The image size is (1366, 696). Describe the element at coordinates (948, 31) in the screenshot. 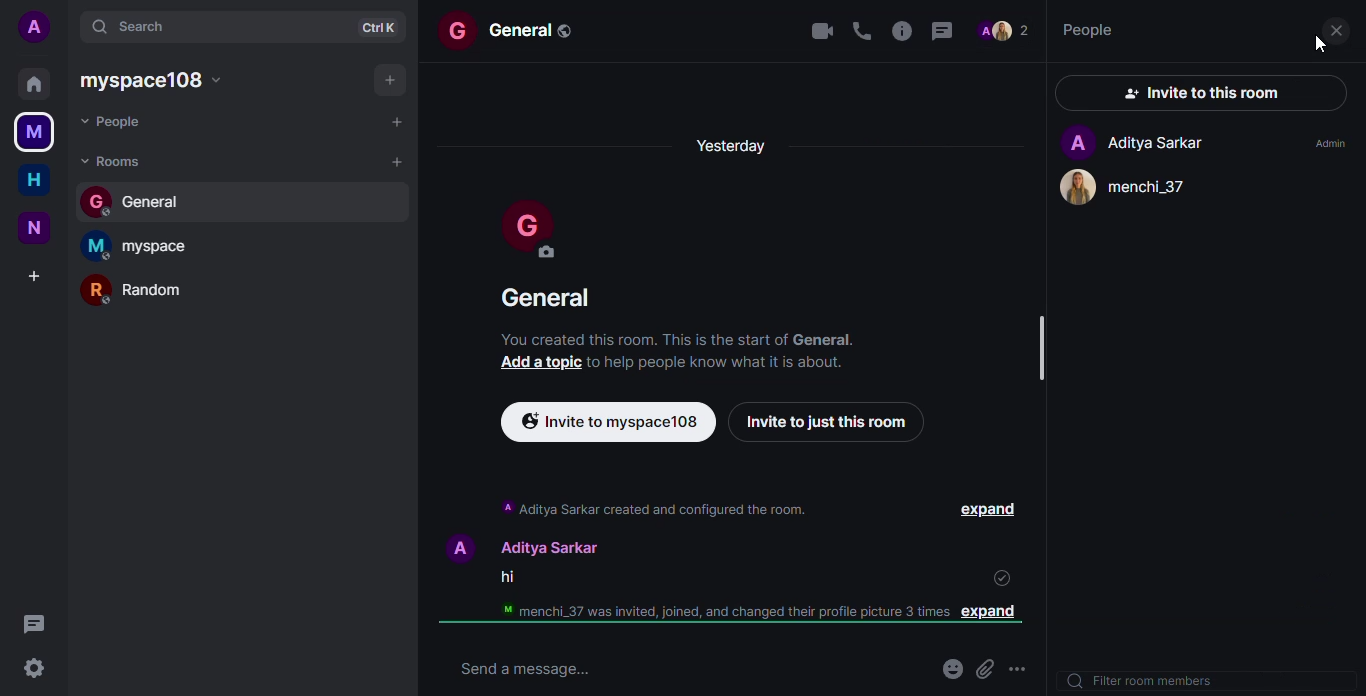

I see `threads` at that location.